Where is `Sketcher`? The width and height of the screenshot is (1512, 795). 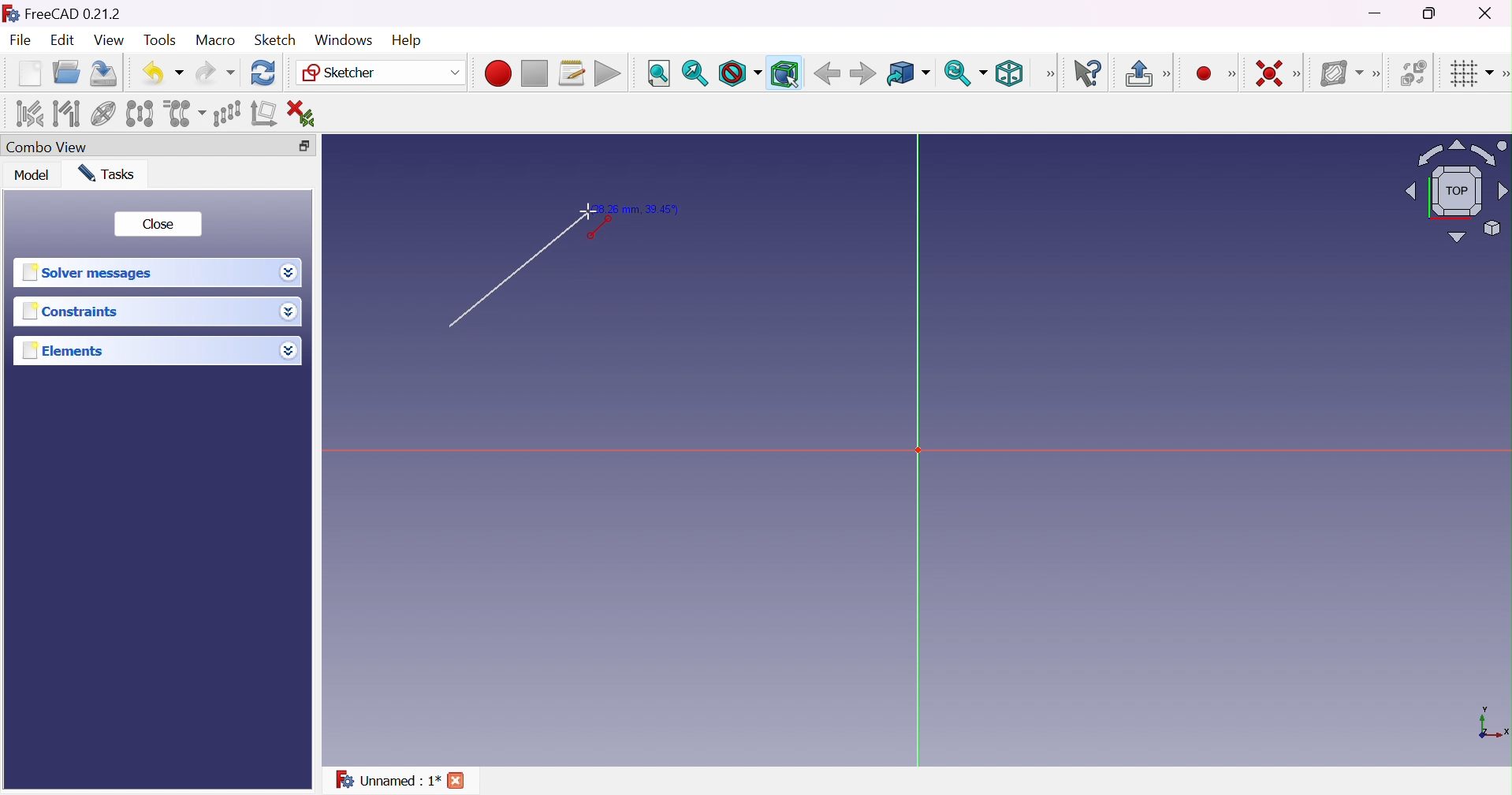
Sketcher is located at coordinates (382, 74).